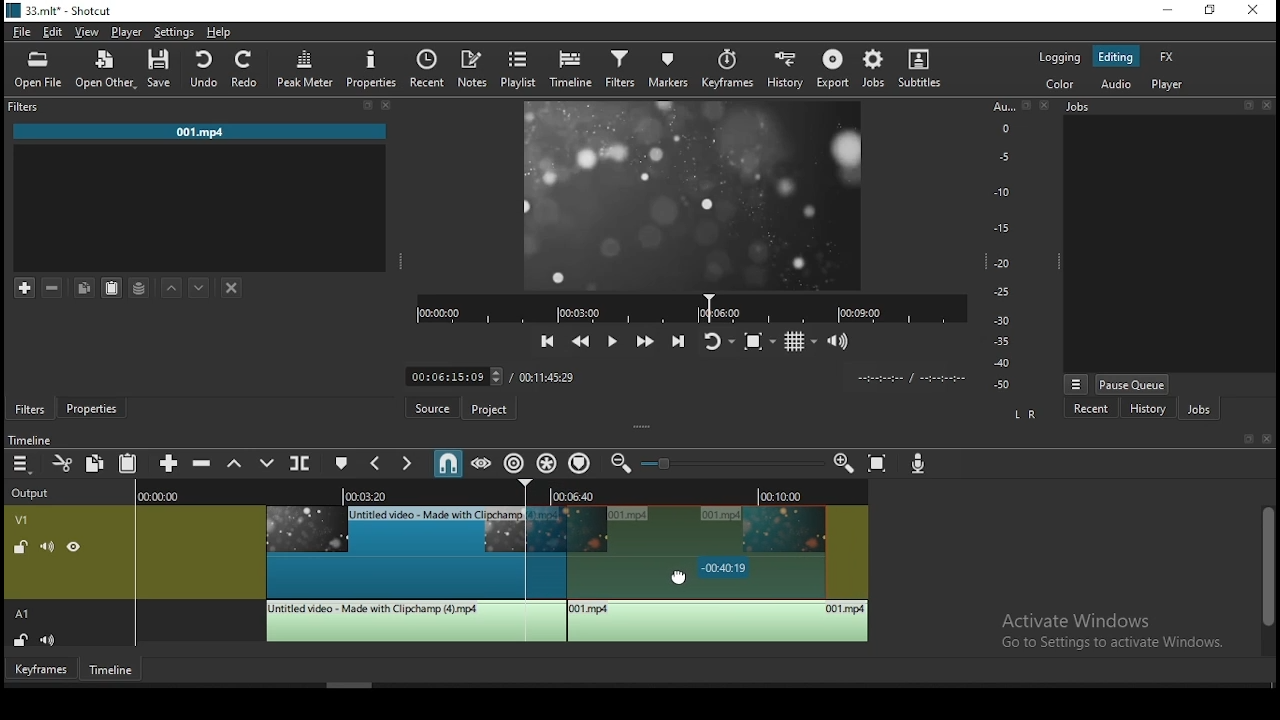 The image size is (1280, 720). Describe the element at coordinates (802, 339) in the screenshot. I see `toggle grid display on player` at that location.